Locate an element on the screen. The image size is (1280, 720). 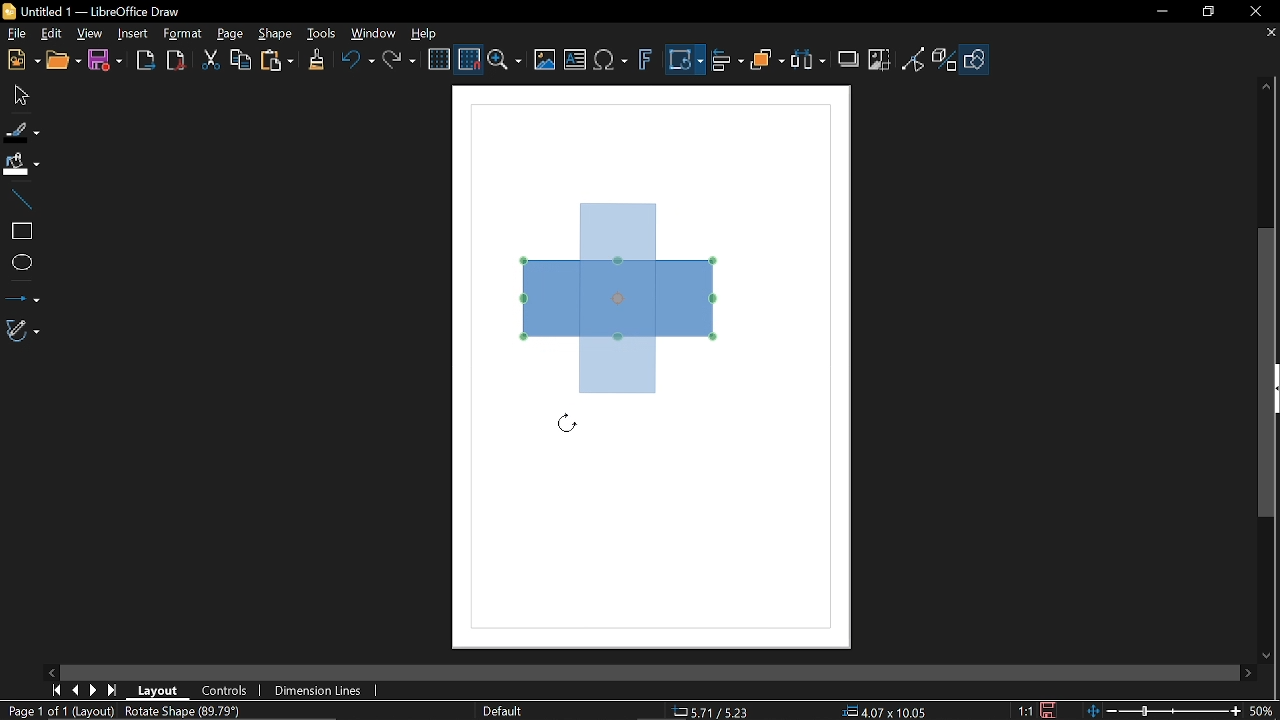
Cut is located at coordinates (209, 63).